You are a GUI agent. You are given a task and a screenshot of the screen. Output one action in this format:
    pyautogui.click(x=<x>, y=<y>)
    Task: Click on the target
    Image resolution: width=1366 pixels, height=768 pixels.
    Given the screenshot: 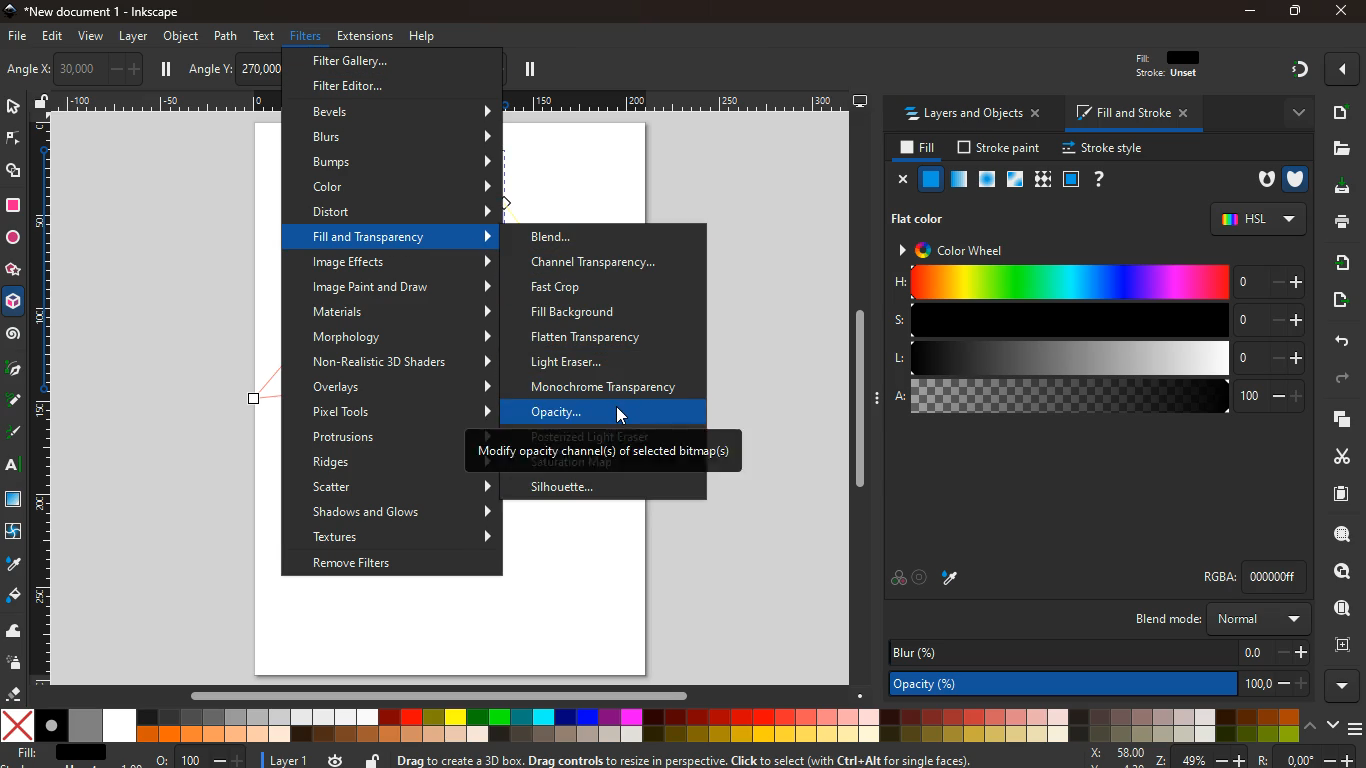 What is the action you would take?
    pyautogui.click(x=921, y=577)
    